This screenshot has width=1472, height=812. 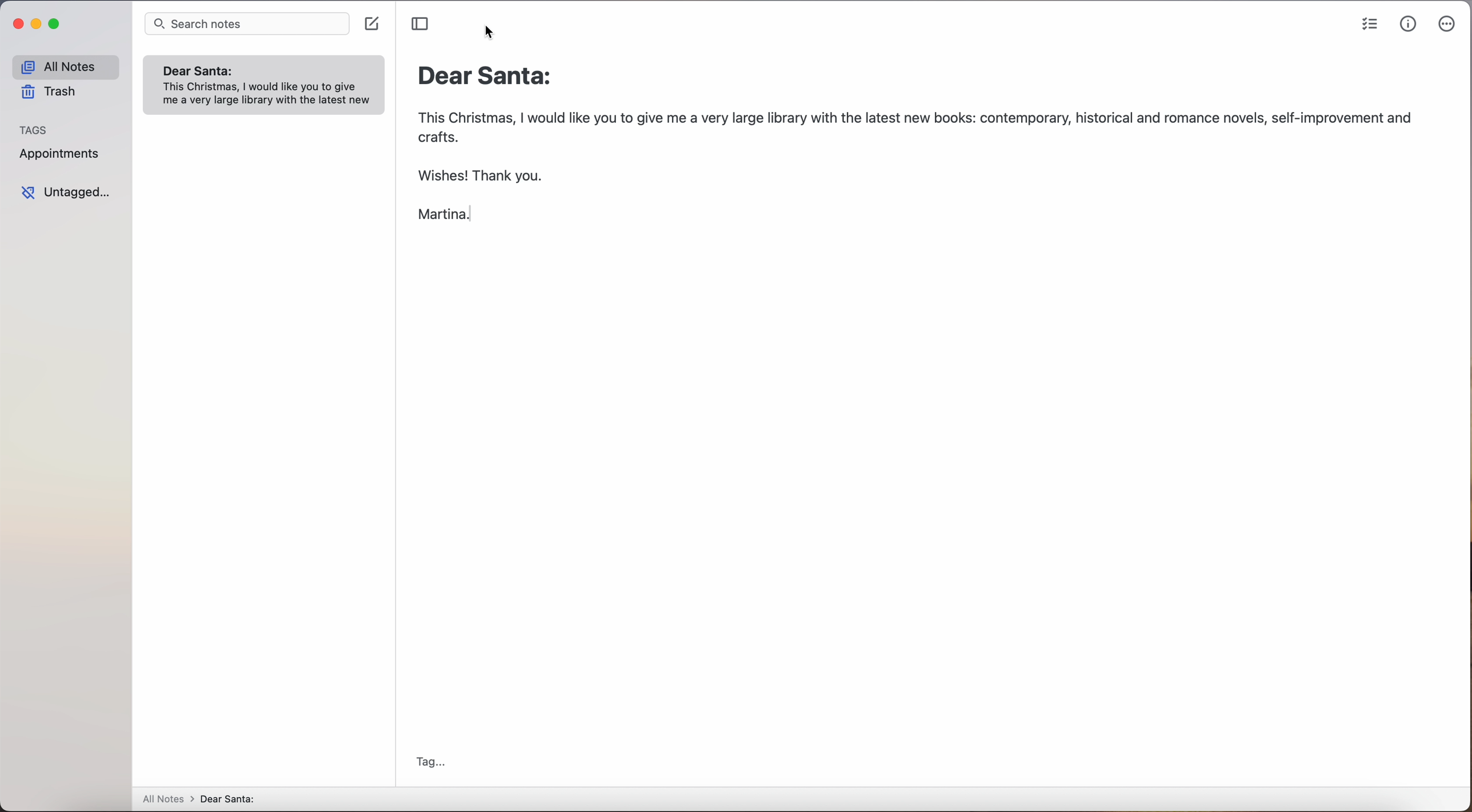 What do you see at coordinates (71, 193) in the screenshot?
I see `untagged` at bounding box center [71, 193].